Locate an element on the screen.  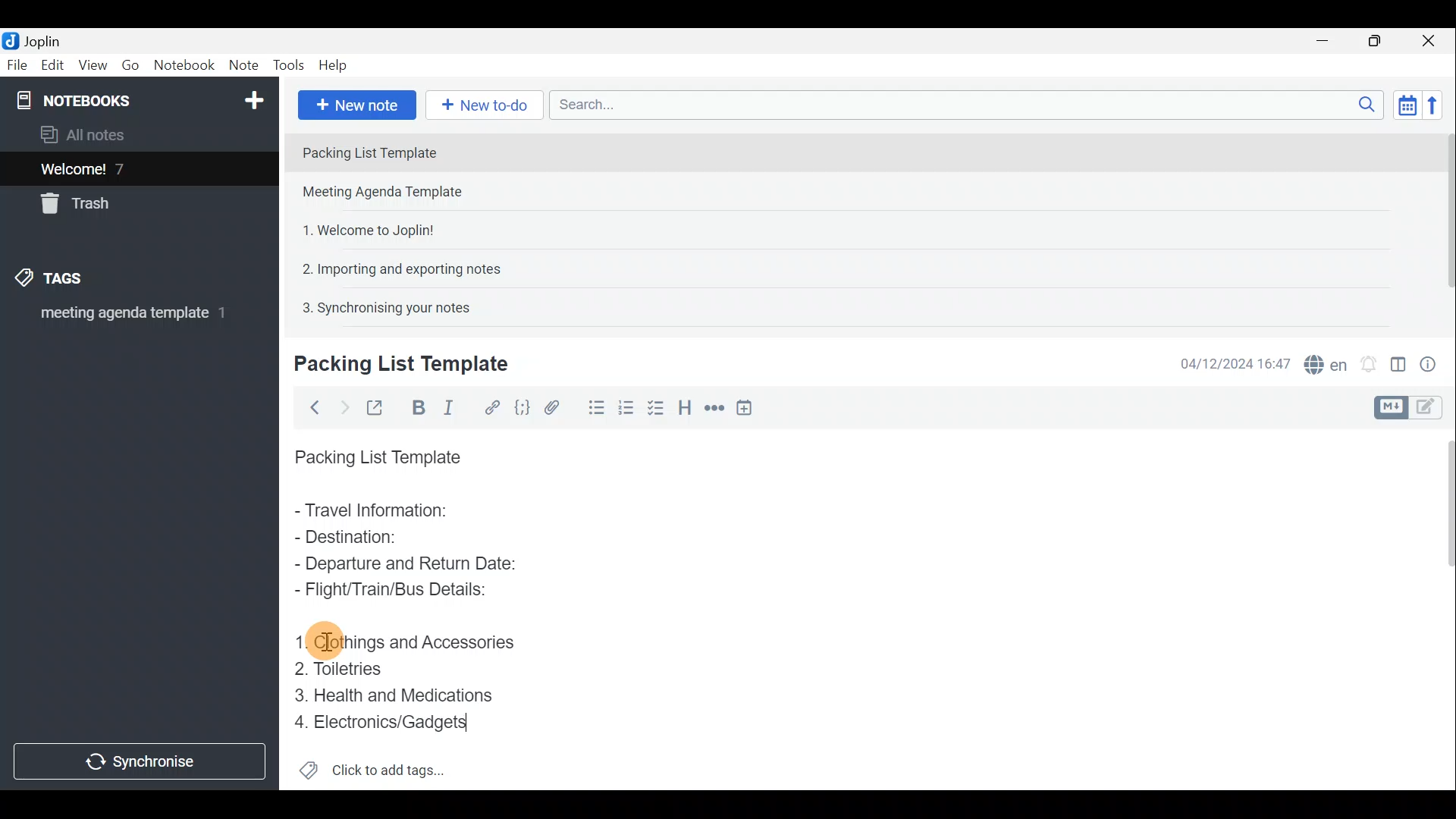
Date & time is located at coordinates (1235, 362).